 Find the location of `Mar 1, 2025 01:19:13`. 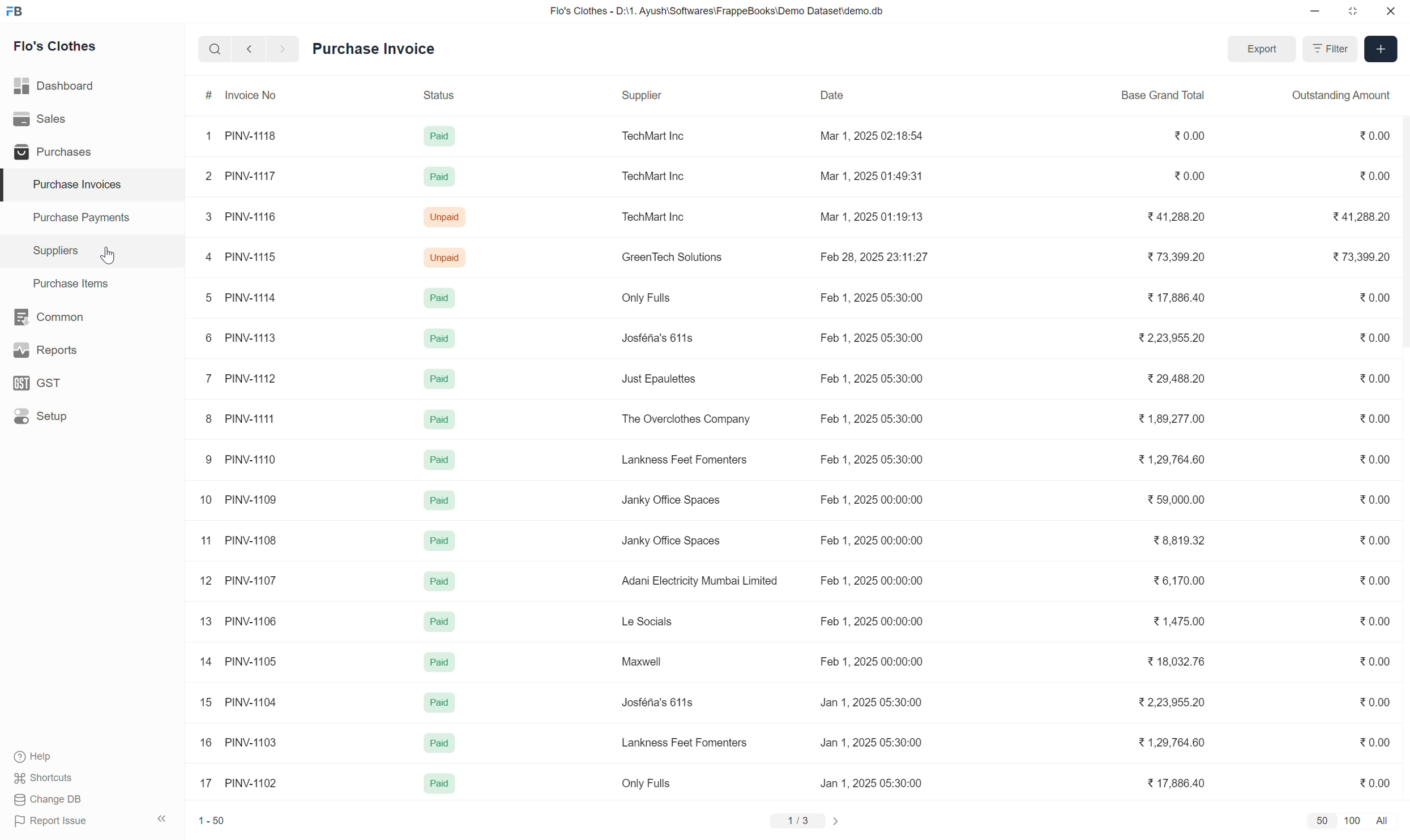

Mar 1, 2025 01:19:13 is located at coordinates (870, 217).